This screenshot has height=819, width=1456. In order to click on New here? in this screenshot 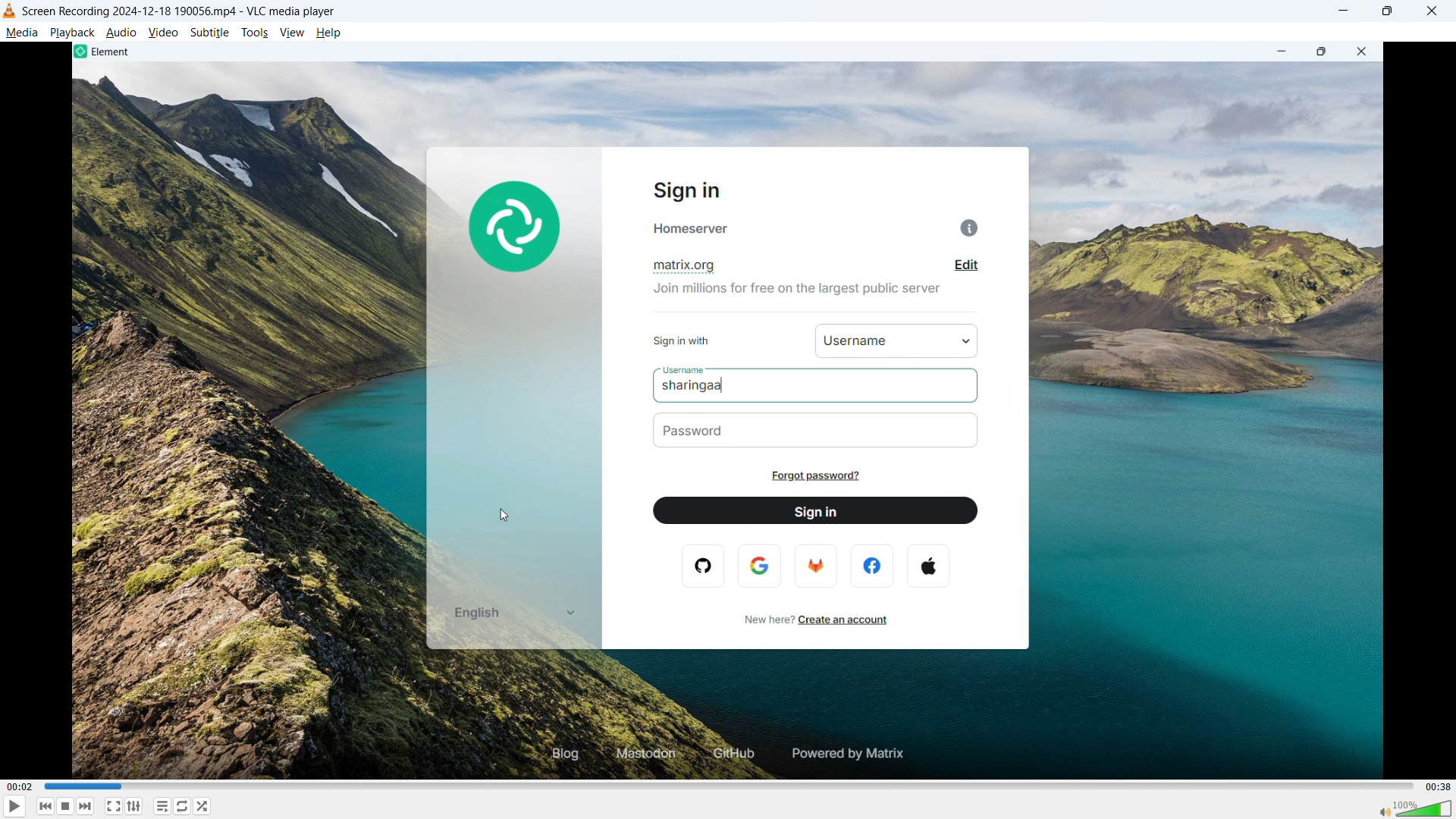, I will do `click(759, 620)`.